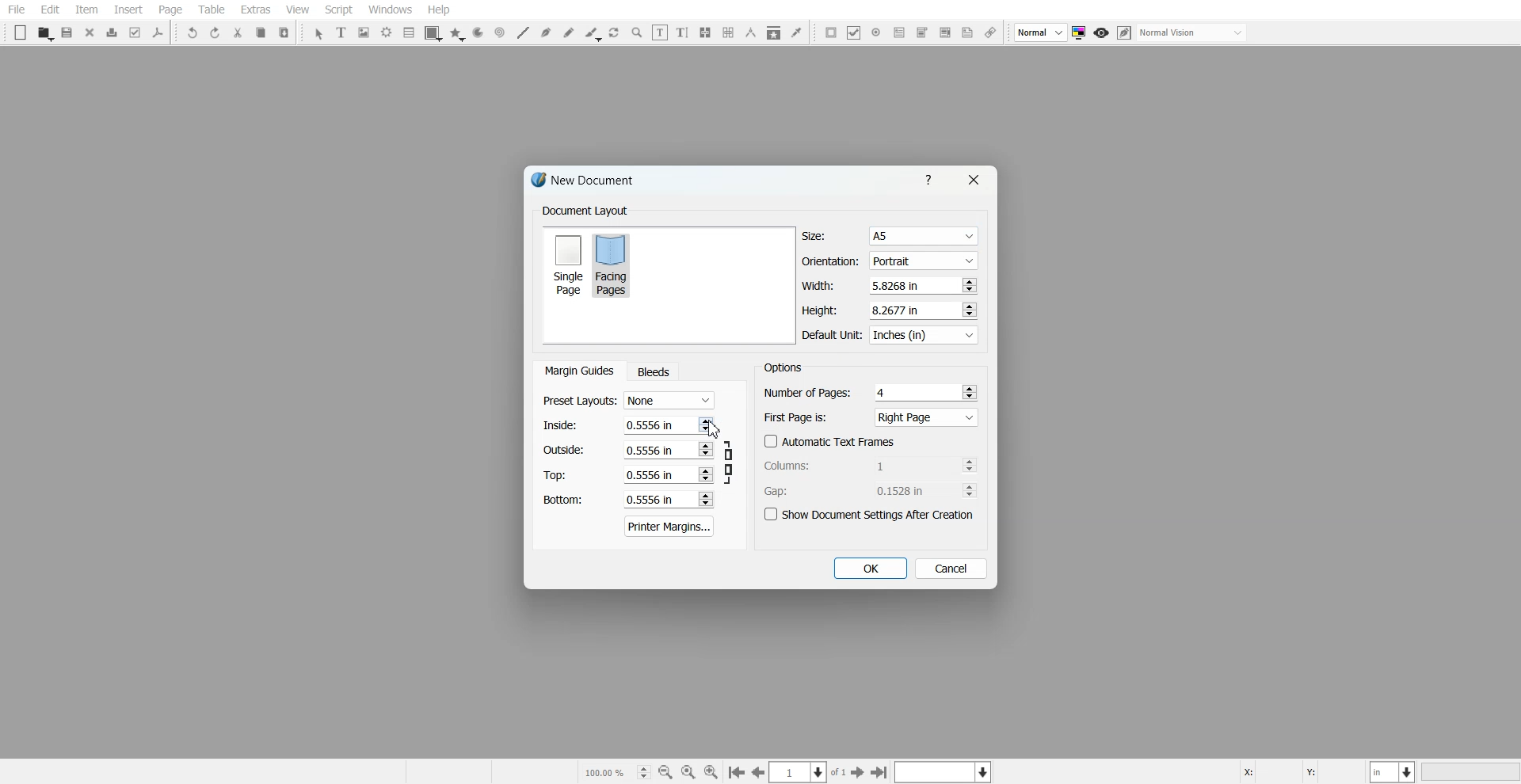  Describe the element at coordinates (260, 32) in the screenshot. I see `Copy` at that location.